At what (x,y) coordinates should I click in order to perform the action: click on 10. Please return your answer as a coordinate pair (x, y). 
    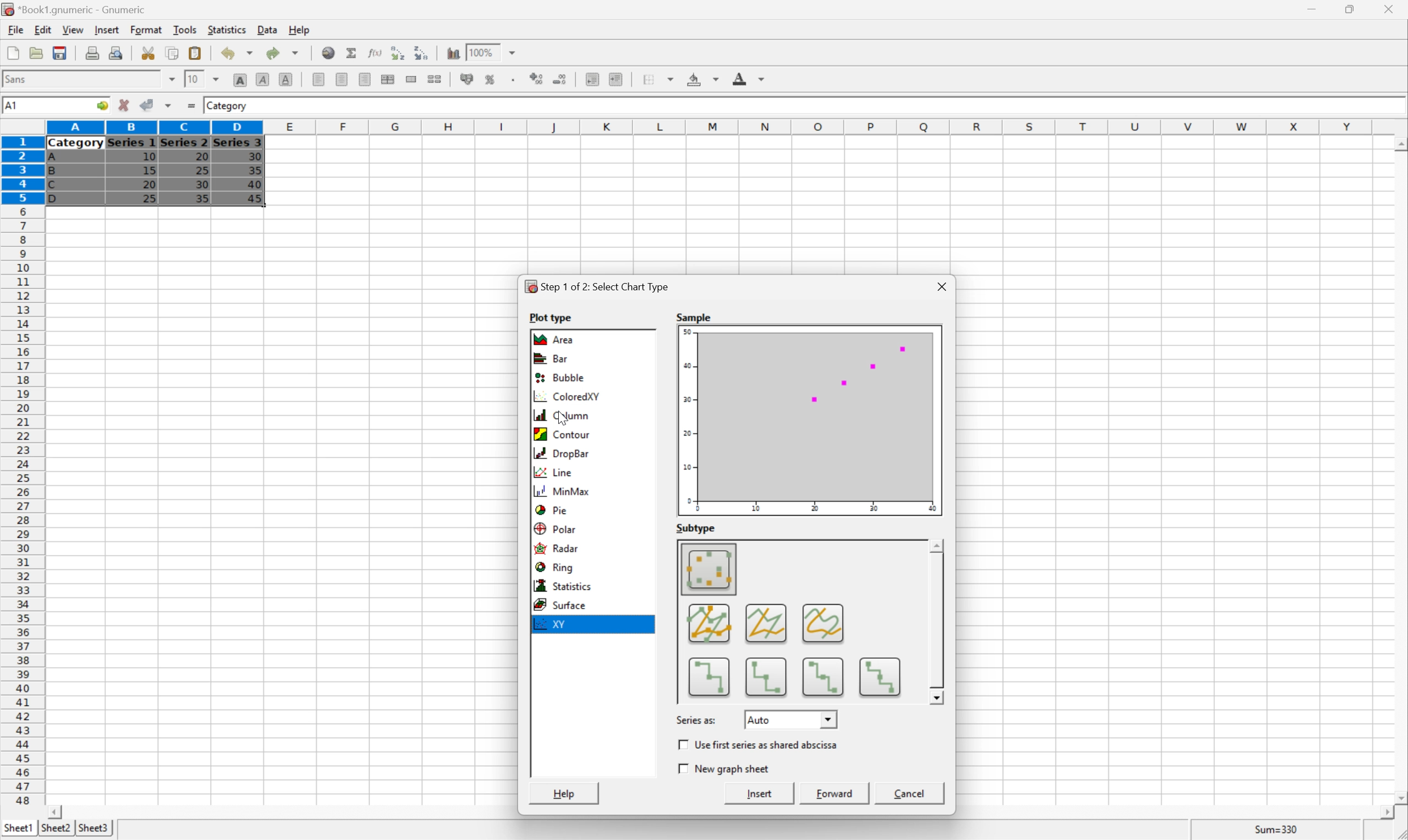
    Looking at the image, I should click on (194, 79).